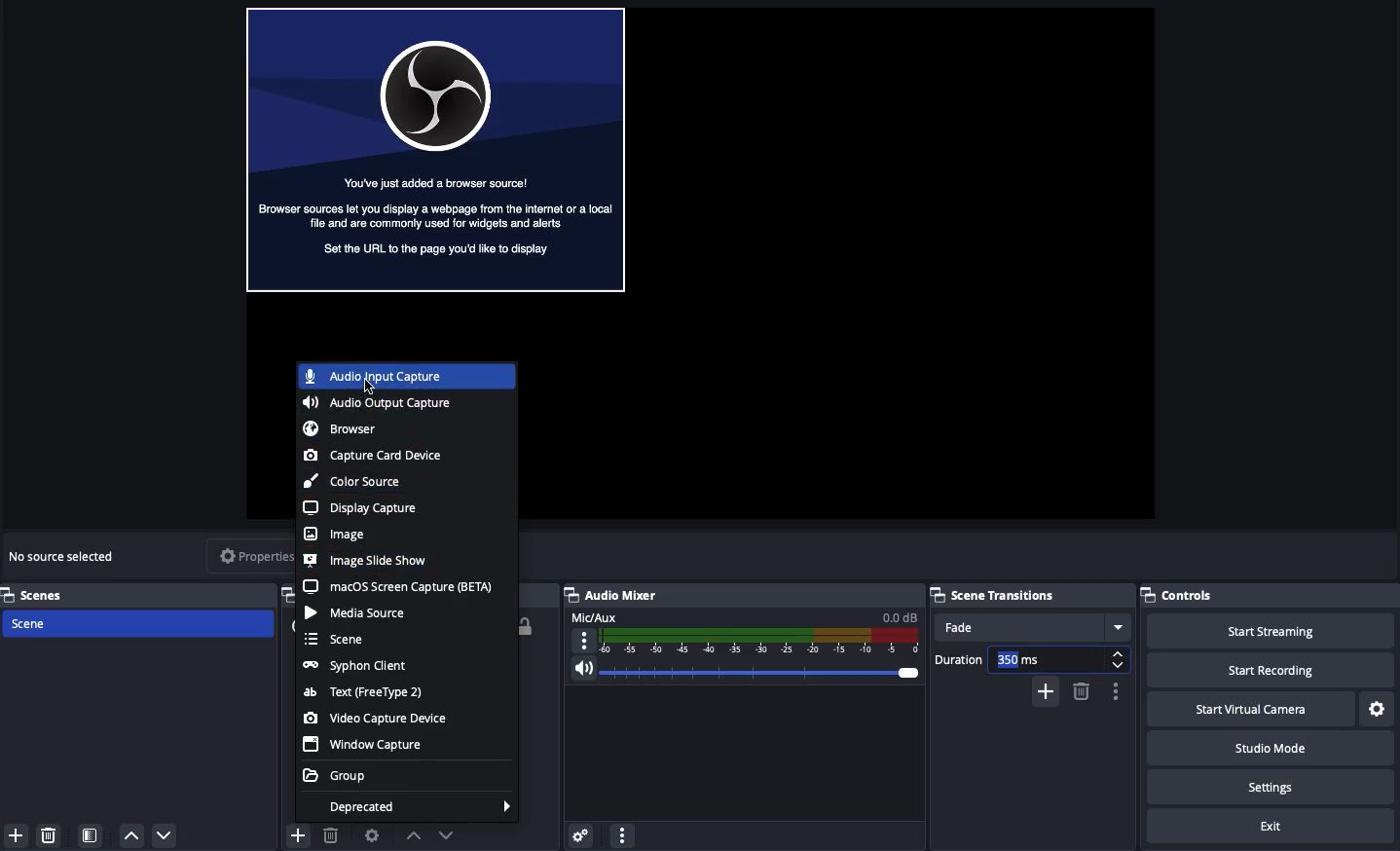 This screenshot has height=851, width=1400. What do you see at coordinates (1271, 751) in the screenshot?
I see `Studio mode` at bounding box center [1271, 751].